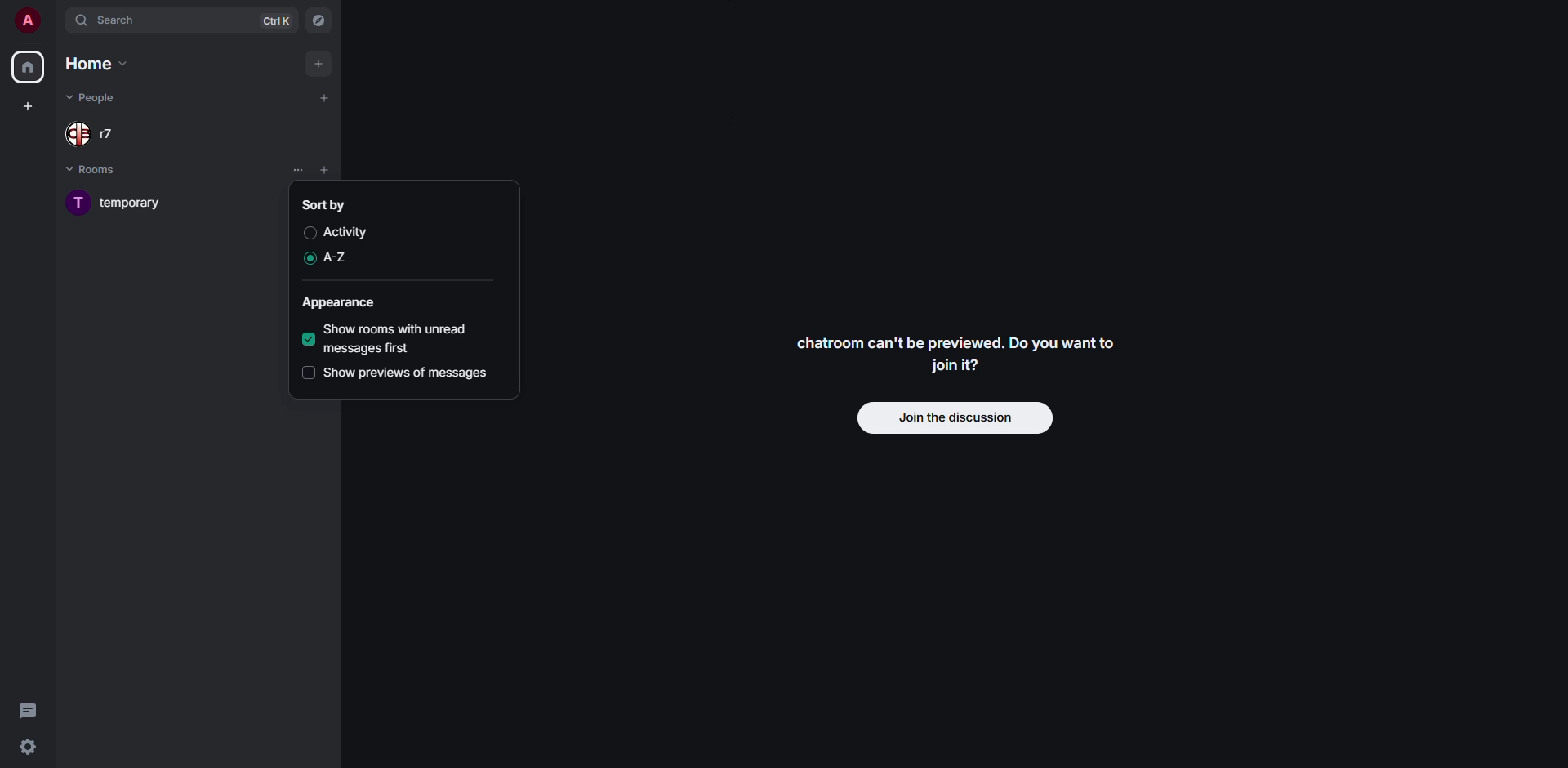  What do you see at coordinates (27, 105) in the screenshot?
I see `create space` at bounding box center [27, 105].